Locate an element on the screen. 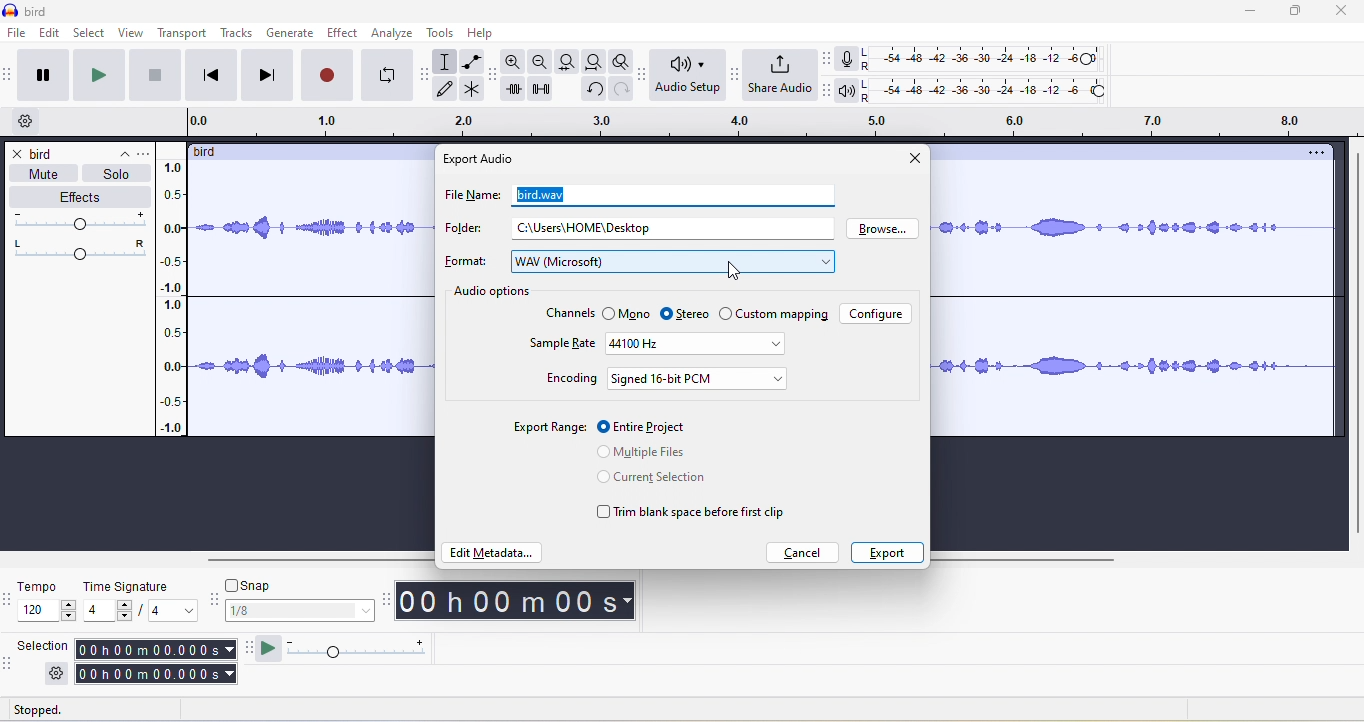  audacity playback meter toolbar is located at coordinates (826, 91).